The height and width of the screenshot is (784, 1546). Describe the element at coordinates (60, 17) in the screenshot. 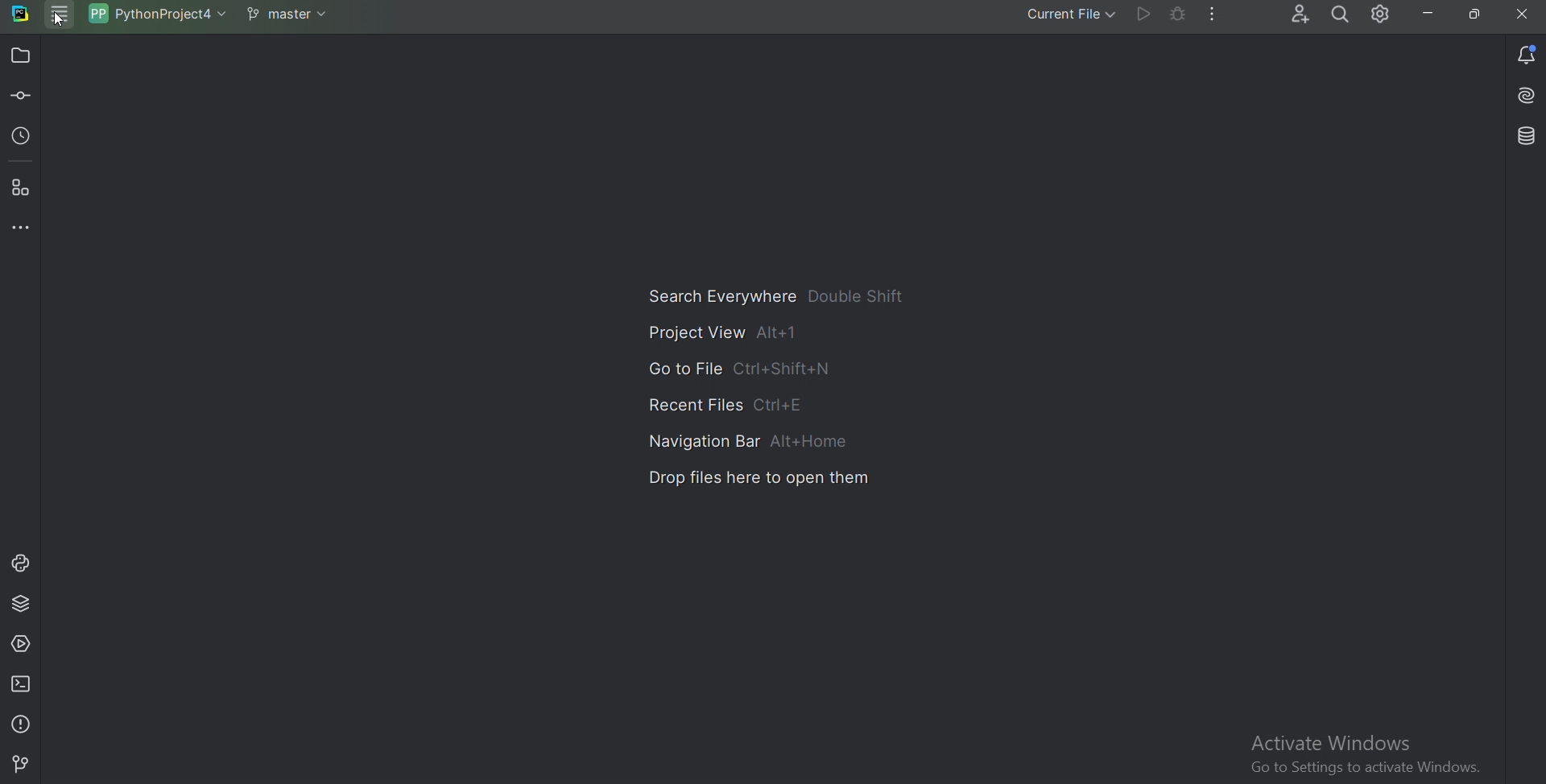

I see `Main menu` at that location.